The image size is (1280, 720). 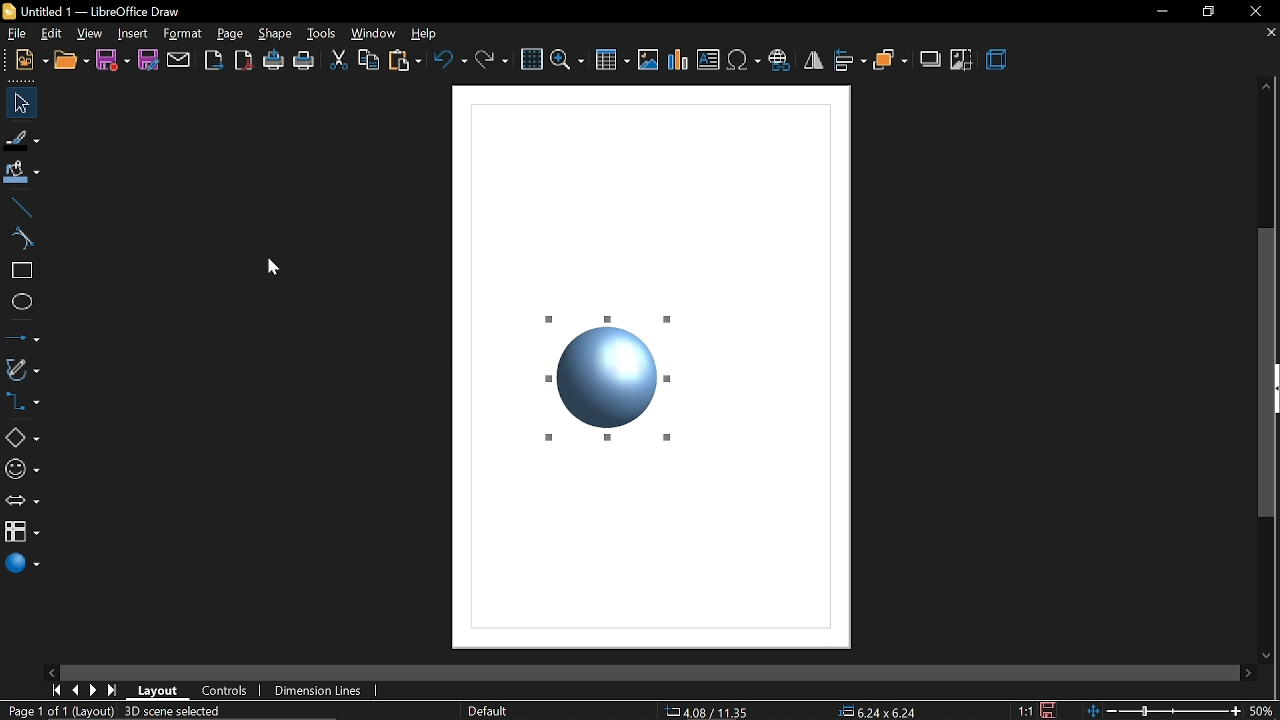 I want to click on ellipse, so click(x=18, y=301).